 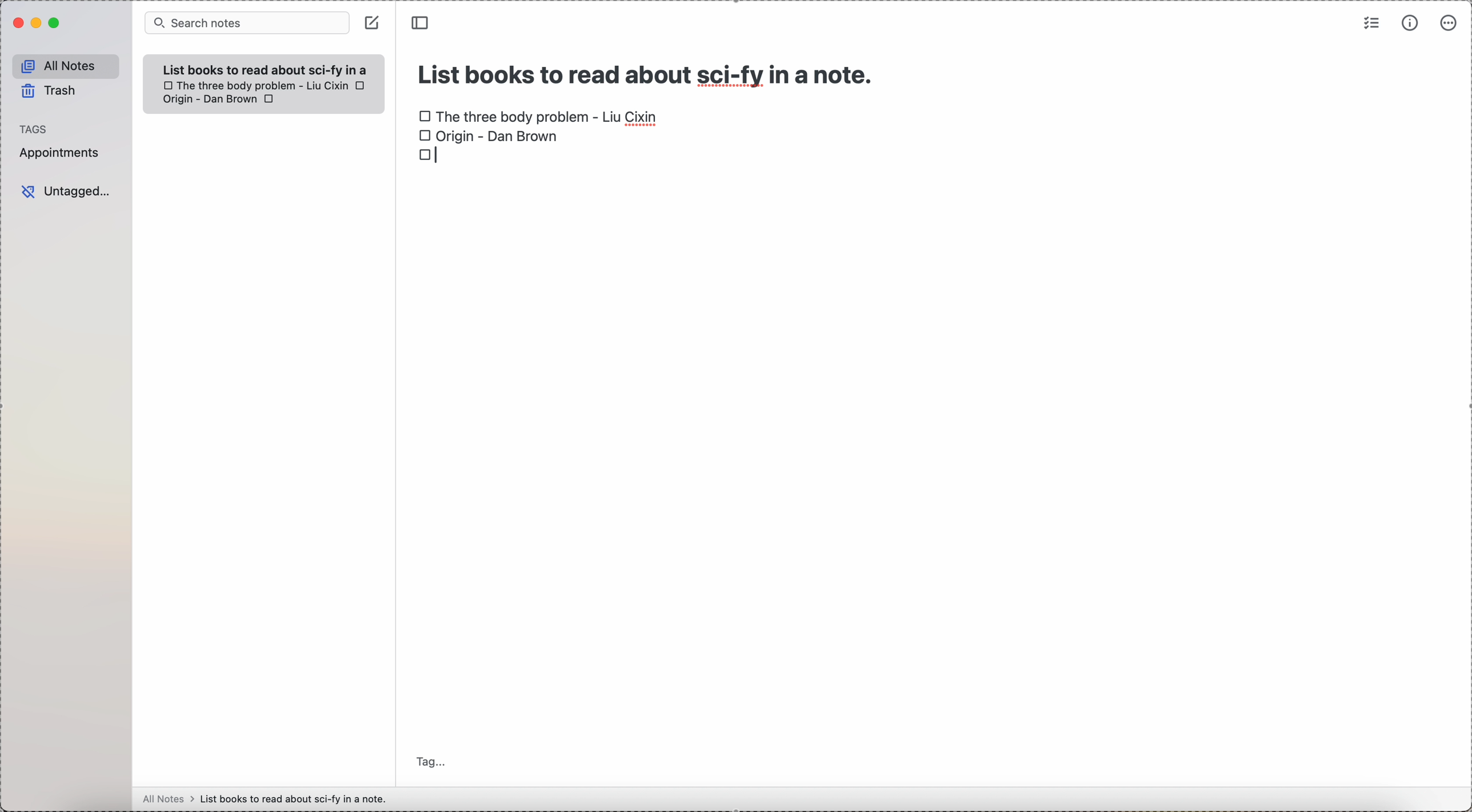 I want to click on close Simplenote, so click(x=16, y=23).